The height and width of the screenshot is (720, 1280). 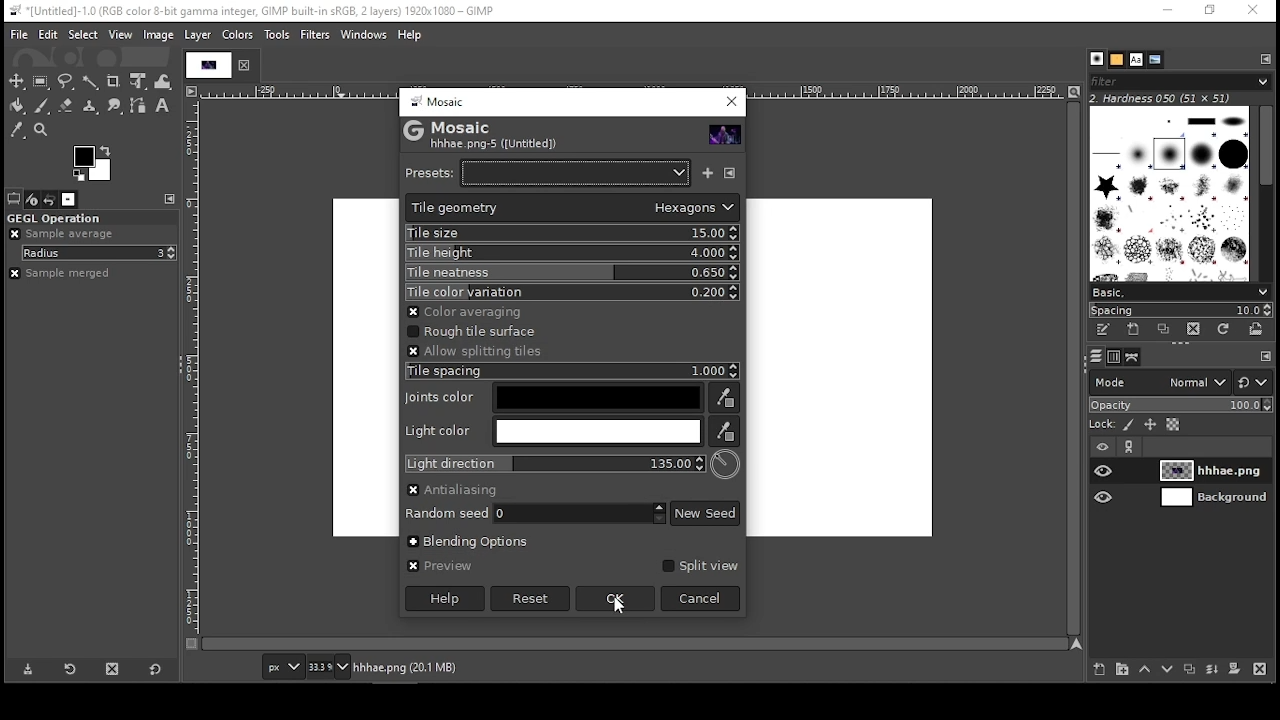 What do you see at coordinates (1161, 330) in the screenshot?
I see `duplicate this brush` at bounding box center [1161, 330].